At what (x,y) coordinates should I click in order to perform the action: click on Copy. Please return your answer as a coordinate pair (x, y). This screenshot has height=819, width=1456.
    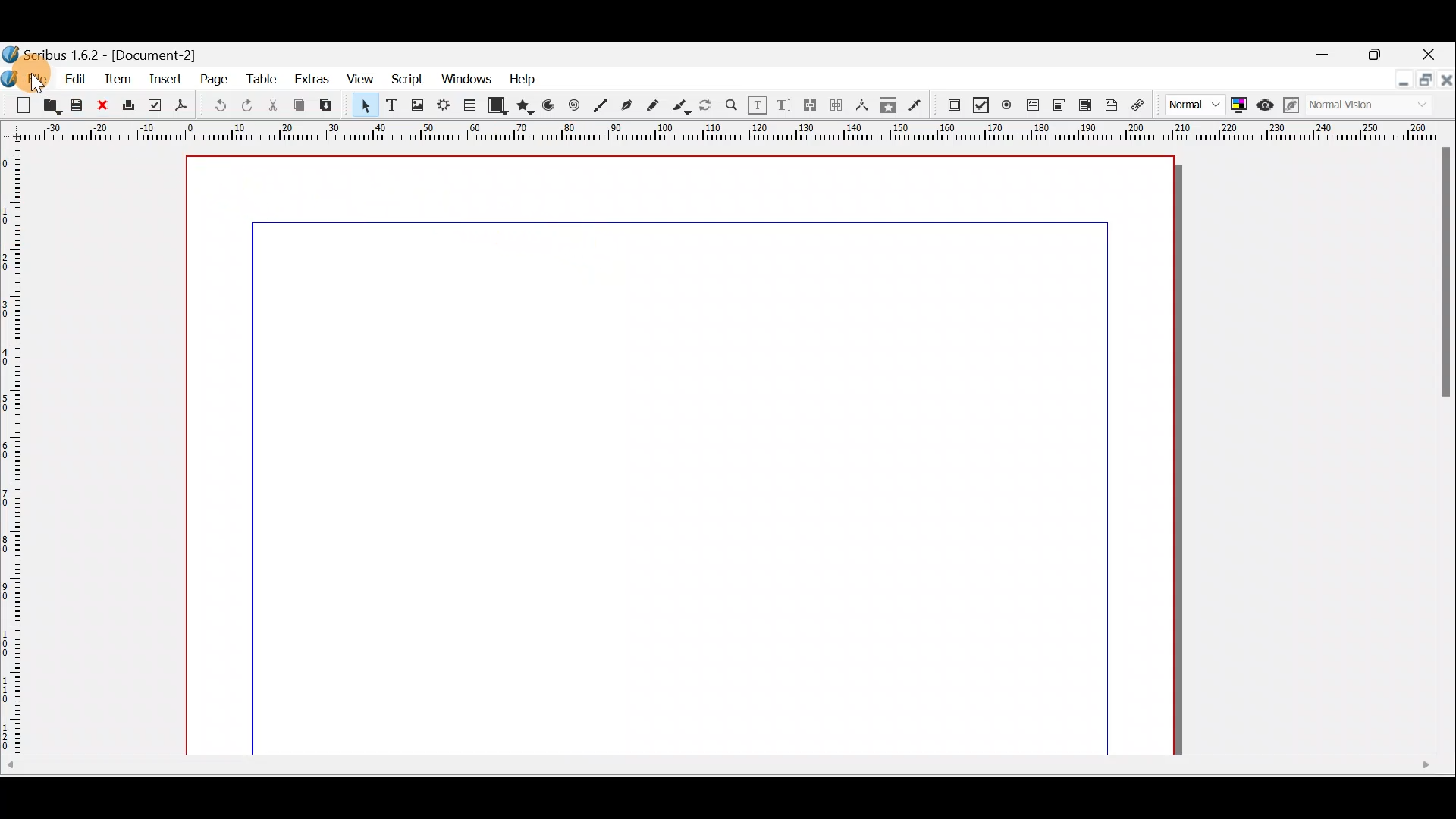
    Looking at the image, I should click on (301, 108).